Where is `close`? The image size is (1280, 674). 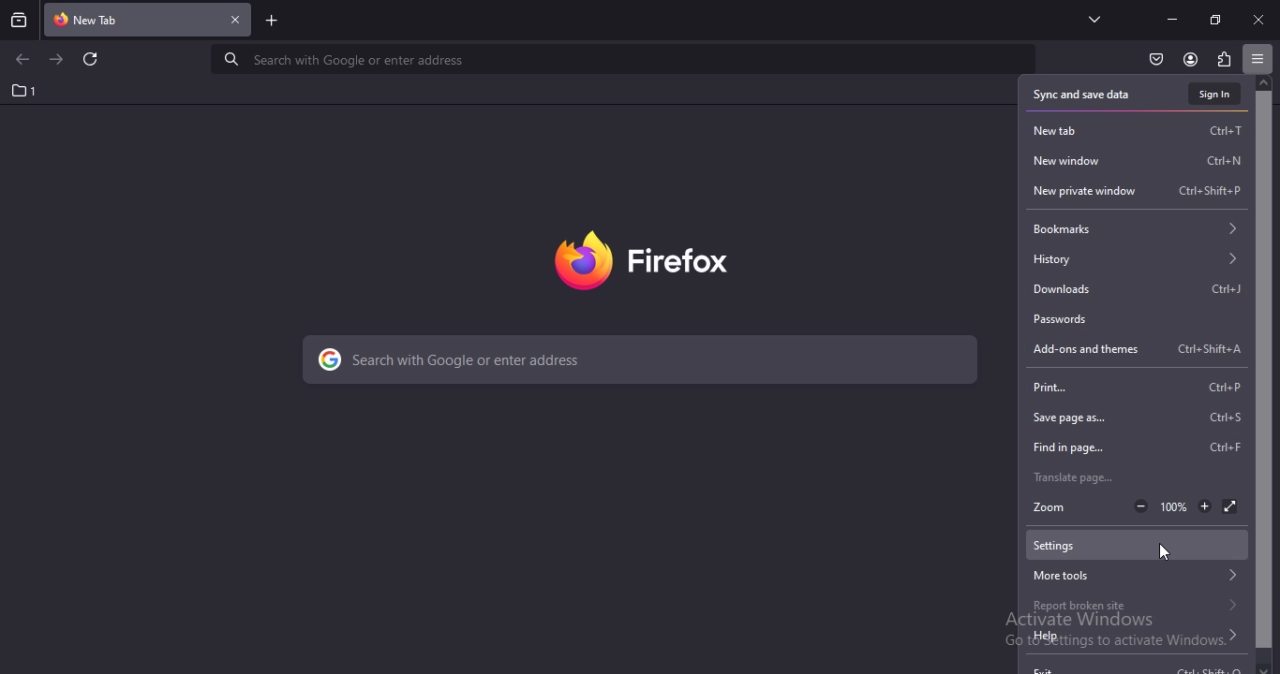
close is located at coordinates (1258, 18).